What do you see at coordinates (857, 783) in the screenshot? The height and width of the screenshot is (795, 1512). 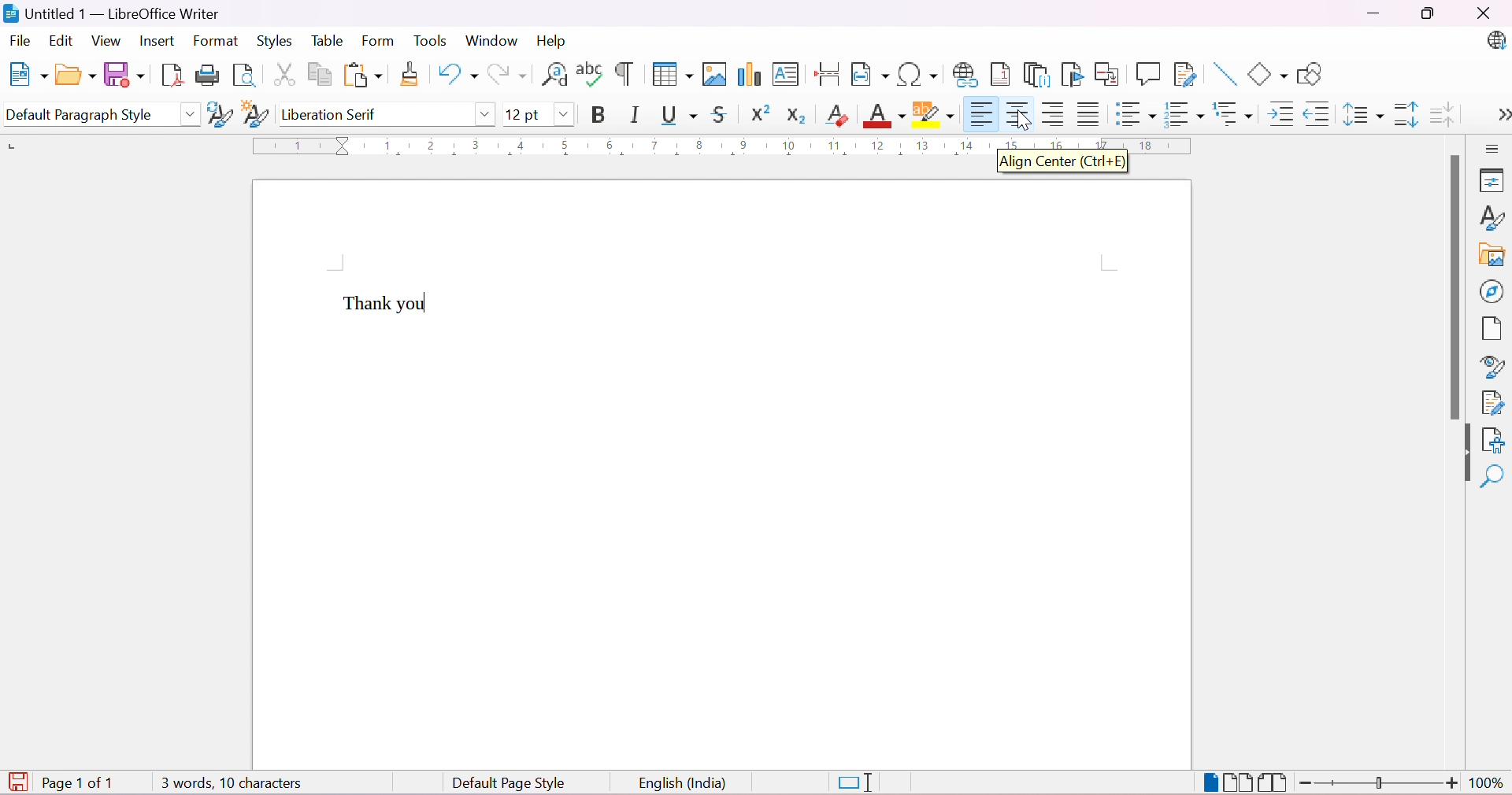 I see `Standard Selection. Click to change selection mode.` at bounding box center [857, 783].